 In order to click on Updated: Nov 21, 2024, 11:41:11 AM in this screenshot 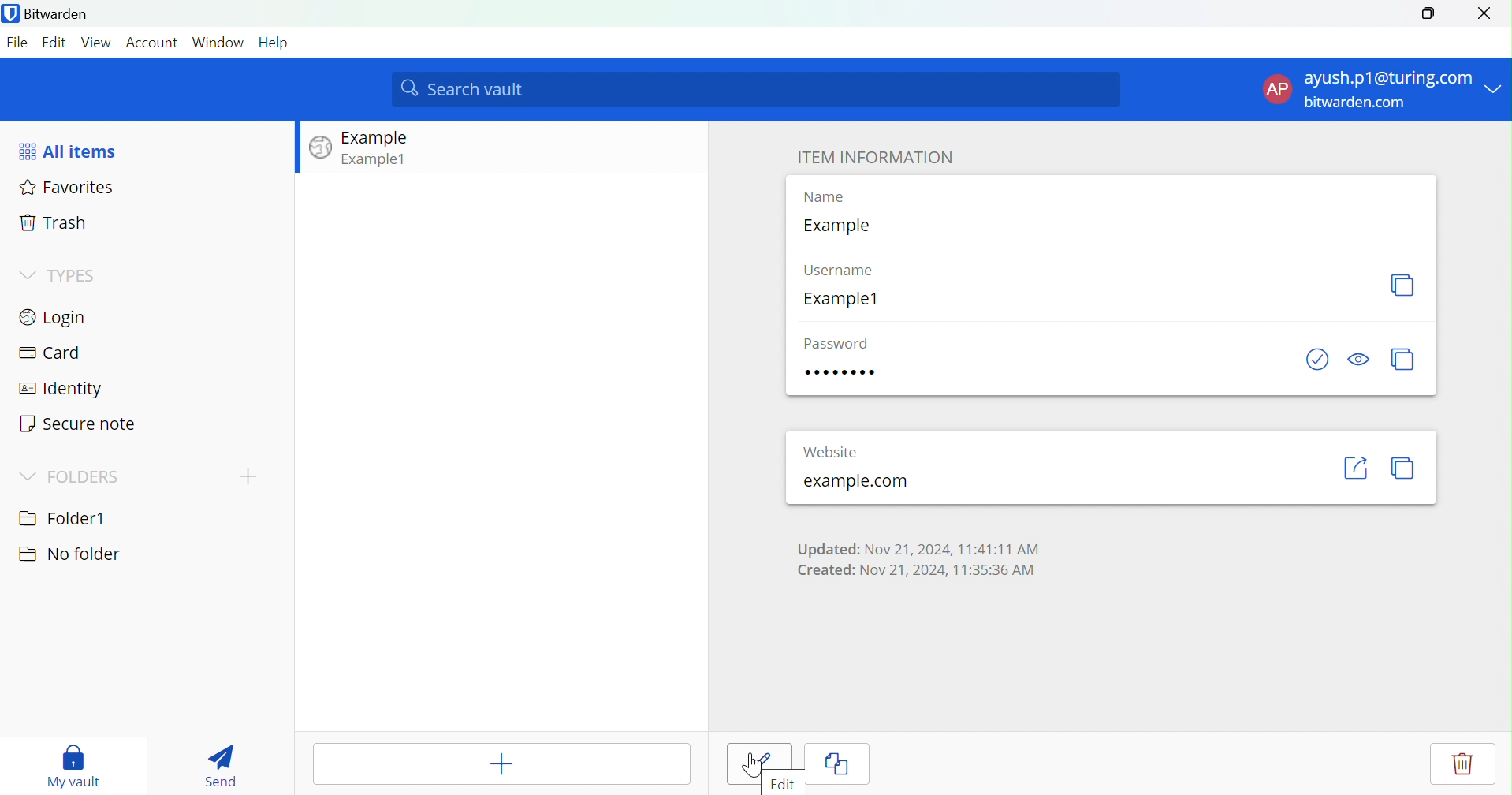, I will do `click(921, 551)`.